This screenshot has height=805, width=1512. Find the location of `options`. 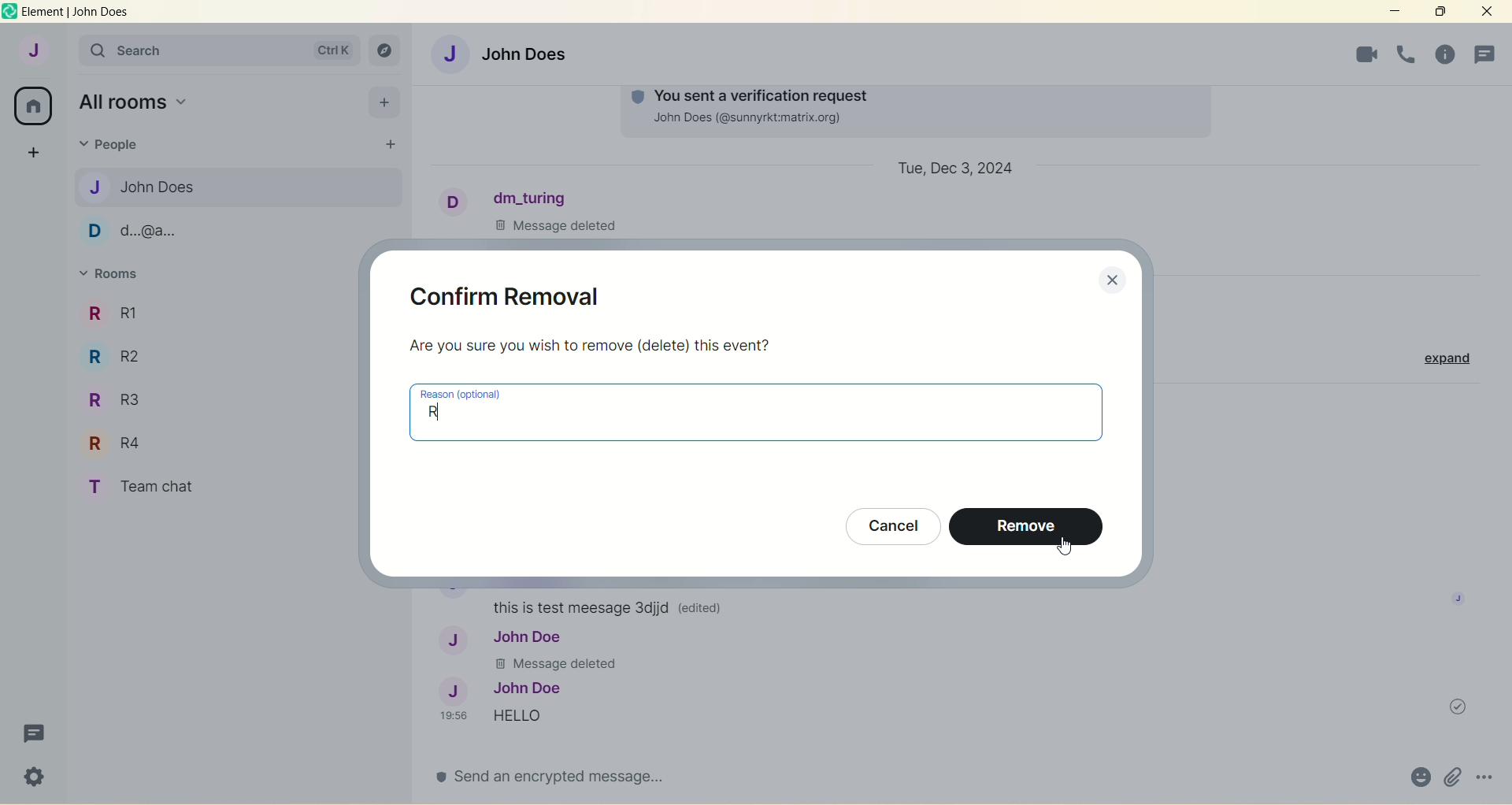

options is located at coordinates (1486, 776).